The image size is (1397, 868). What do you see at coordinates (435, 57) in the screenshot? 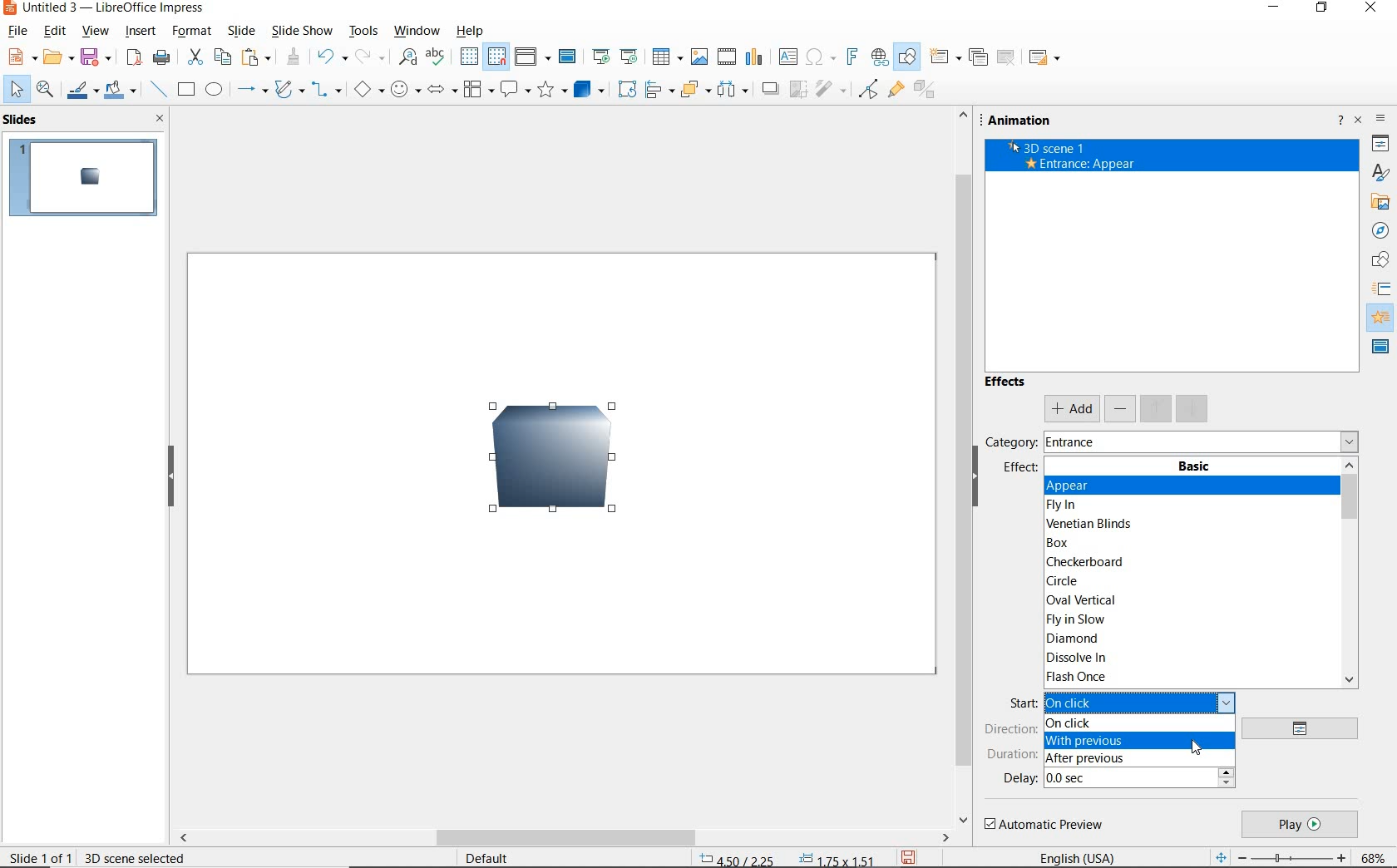
I see `spelling` at bounding box center [435, 57].